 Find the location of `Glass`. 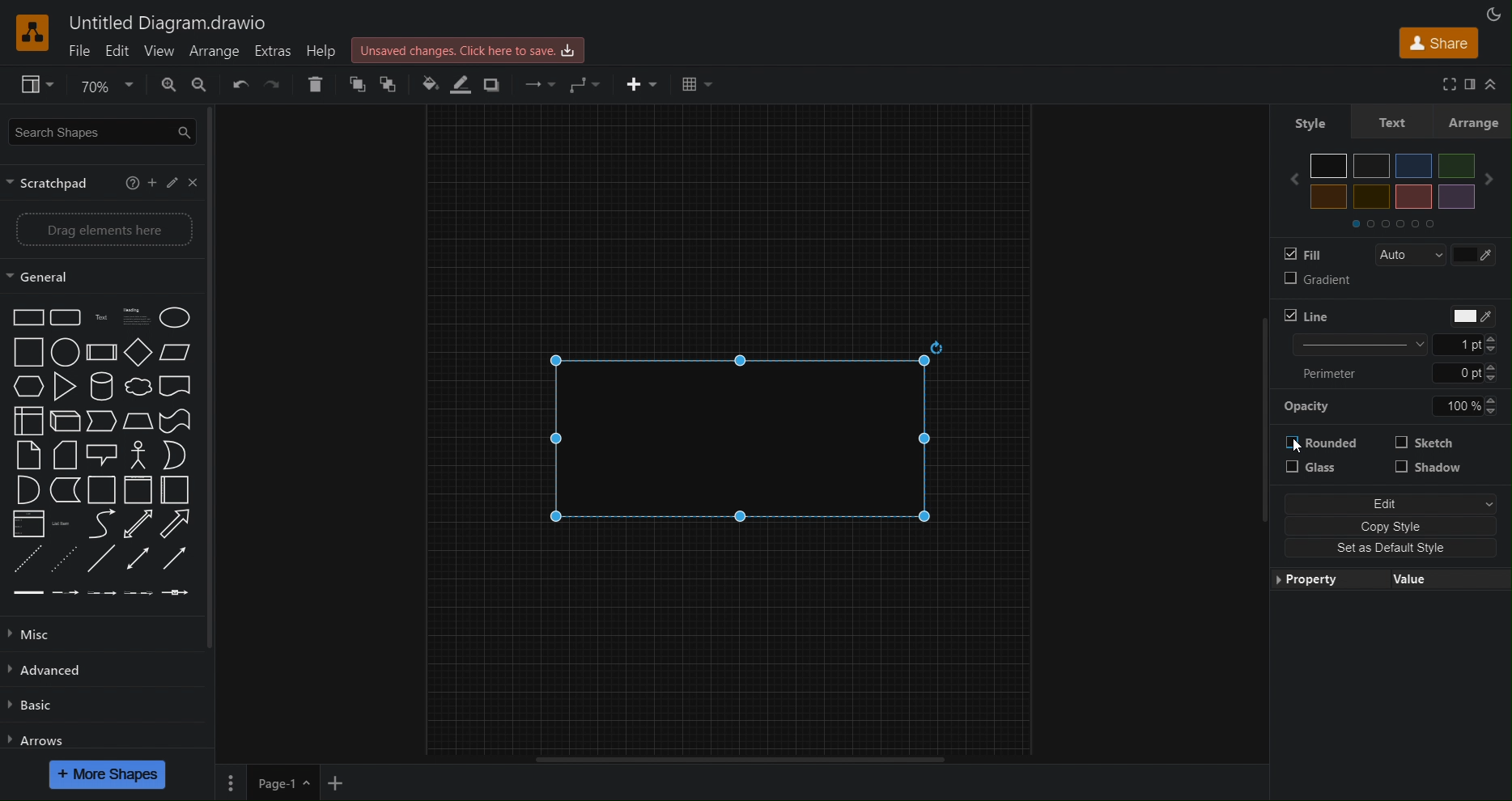

Glass is located at coordinates (1323, 470).